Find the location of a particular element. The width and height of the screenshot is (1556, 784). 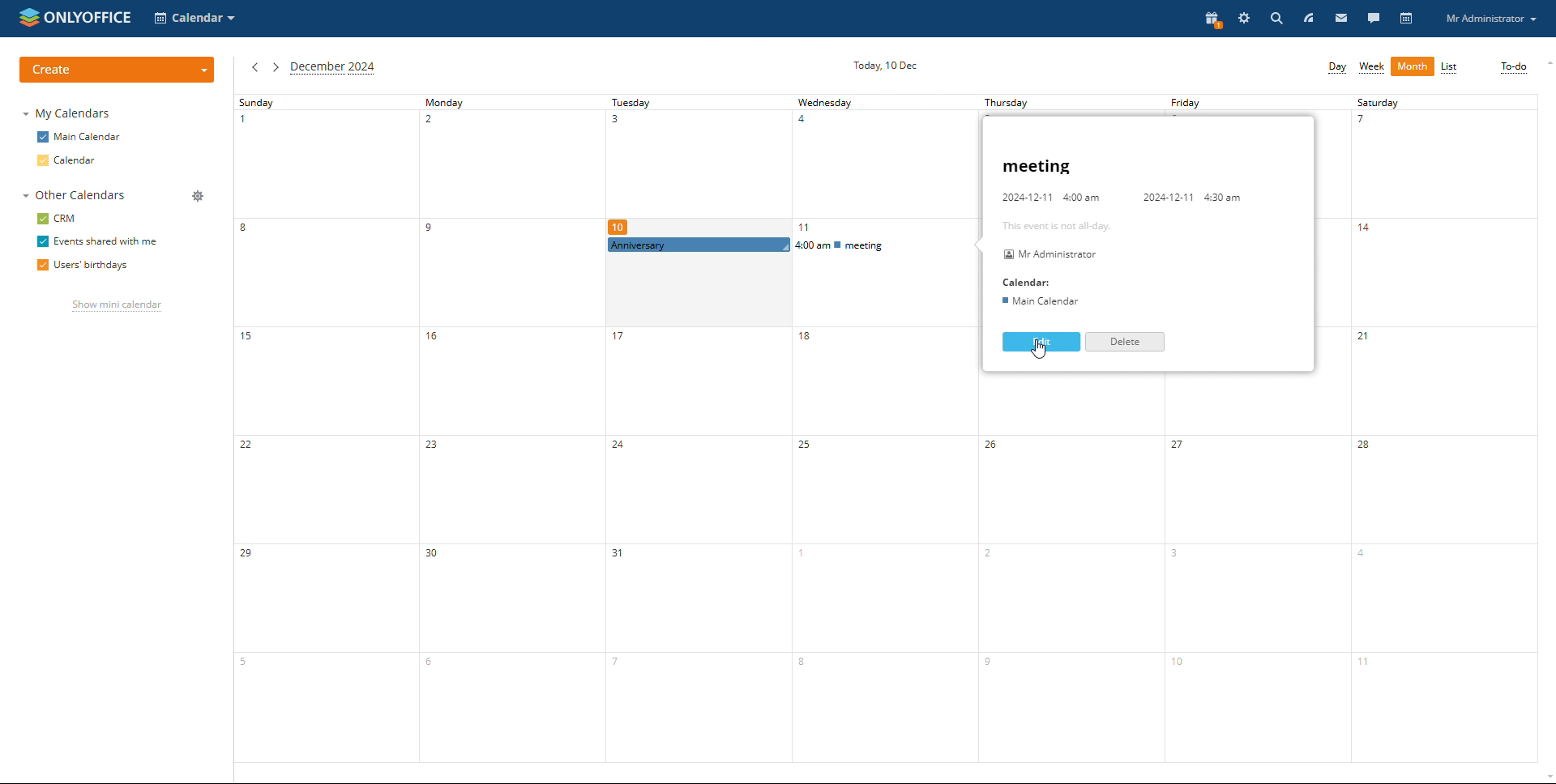

scroll up is located at coordinates (1546, 62).